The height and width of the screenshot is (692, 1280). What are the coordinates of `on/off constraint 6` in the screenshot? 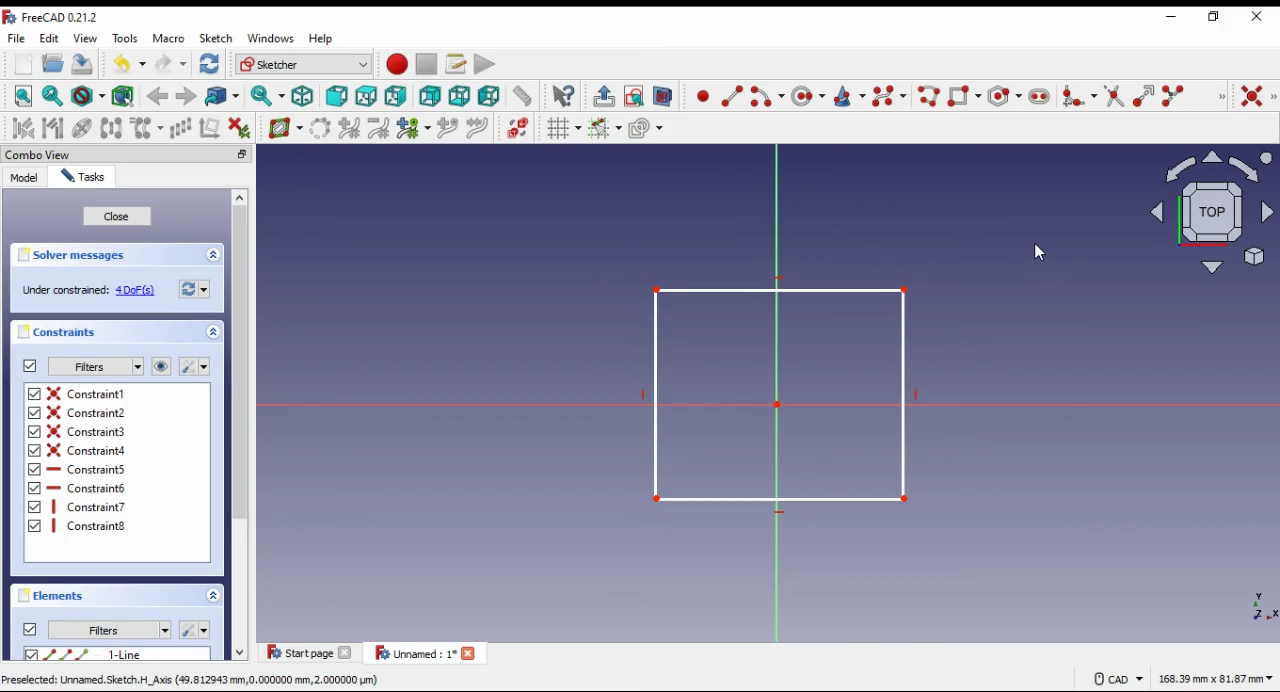 It's located at (88, 487).